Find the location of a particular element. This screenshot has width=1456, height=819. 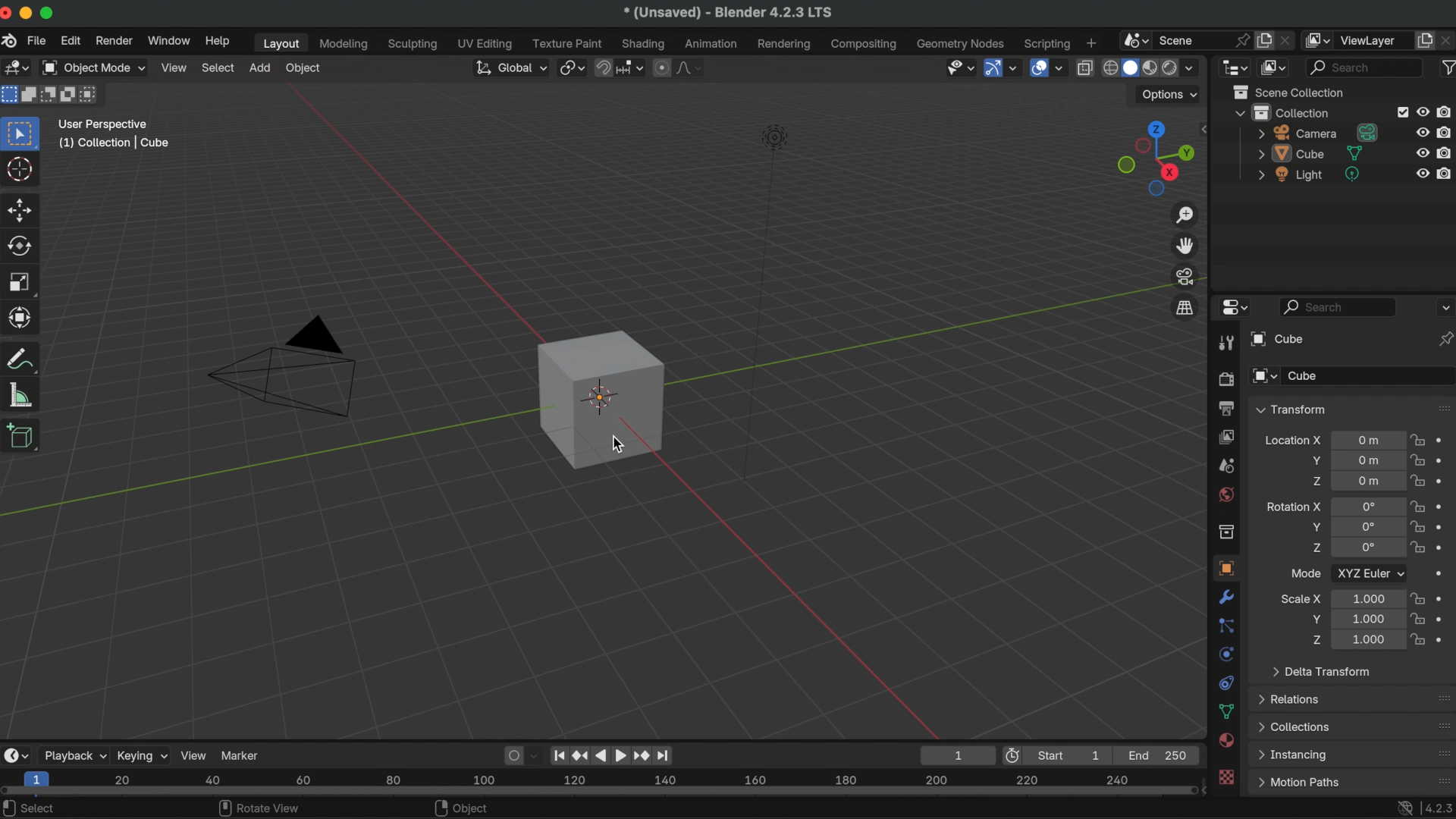

drag handles is located at coordinates (1442, 407).